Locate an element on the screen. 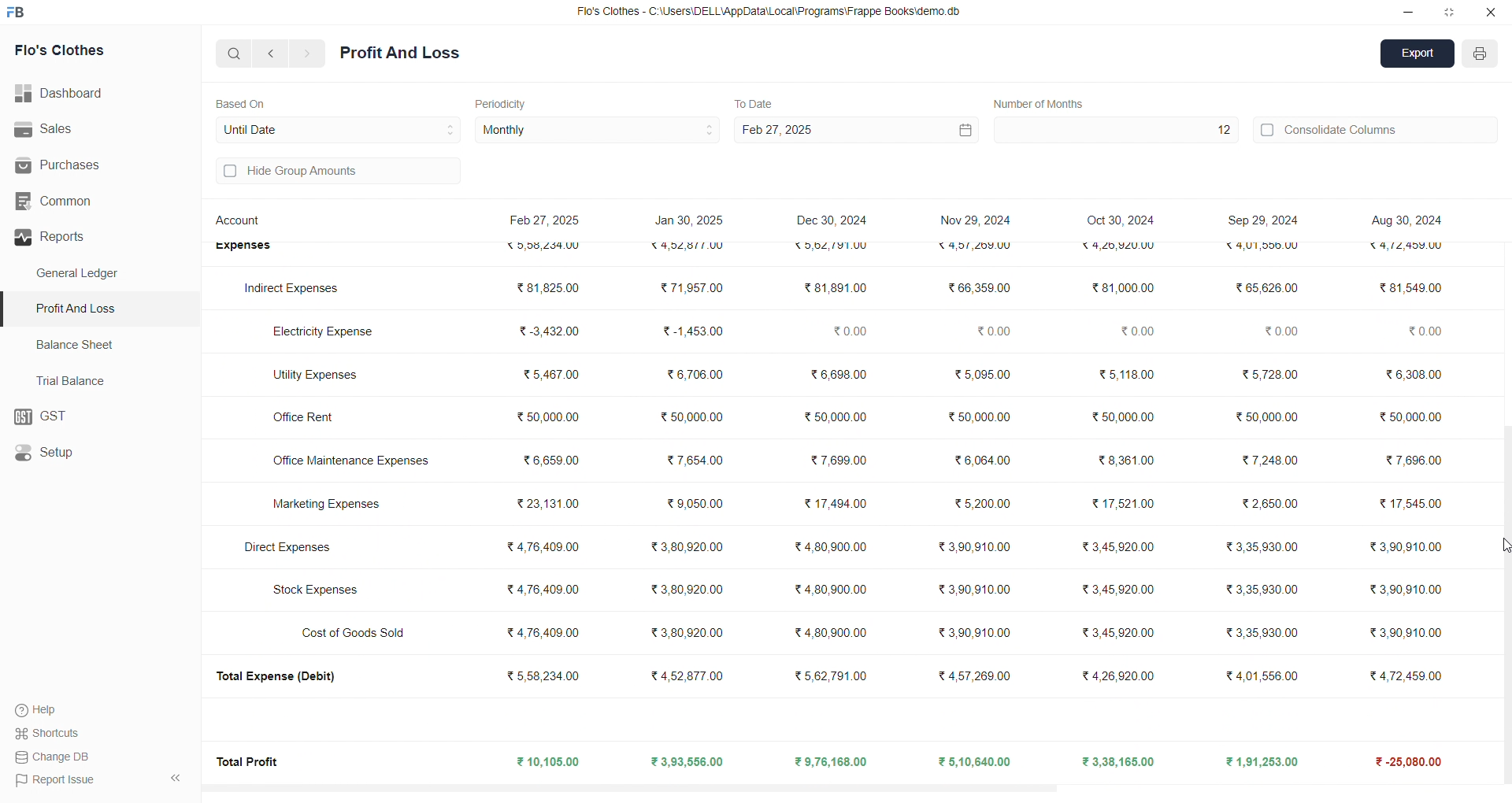 The image size is (1512, 803). GST is located at coordinates (98, 417).